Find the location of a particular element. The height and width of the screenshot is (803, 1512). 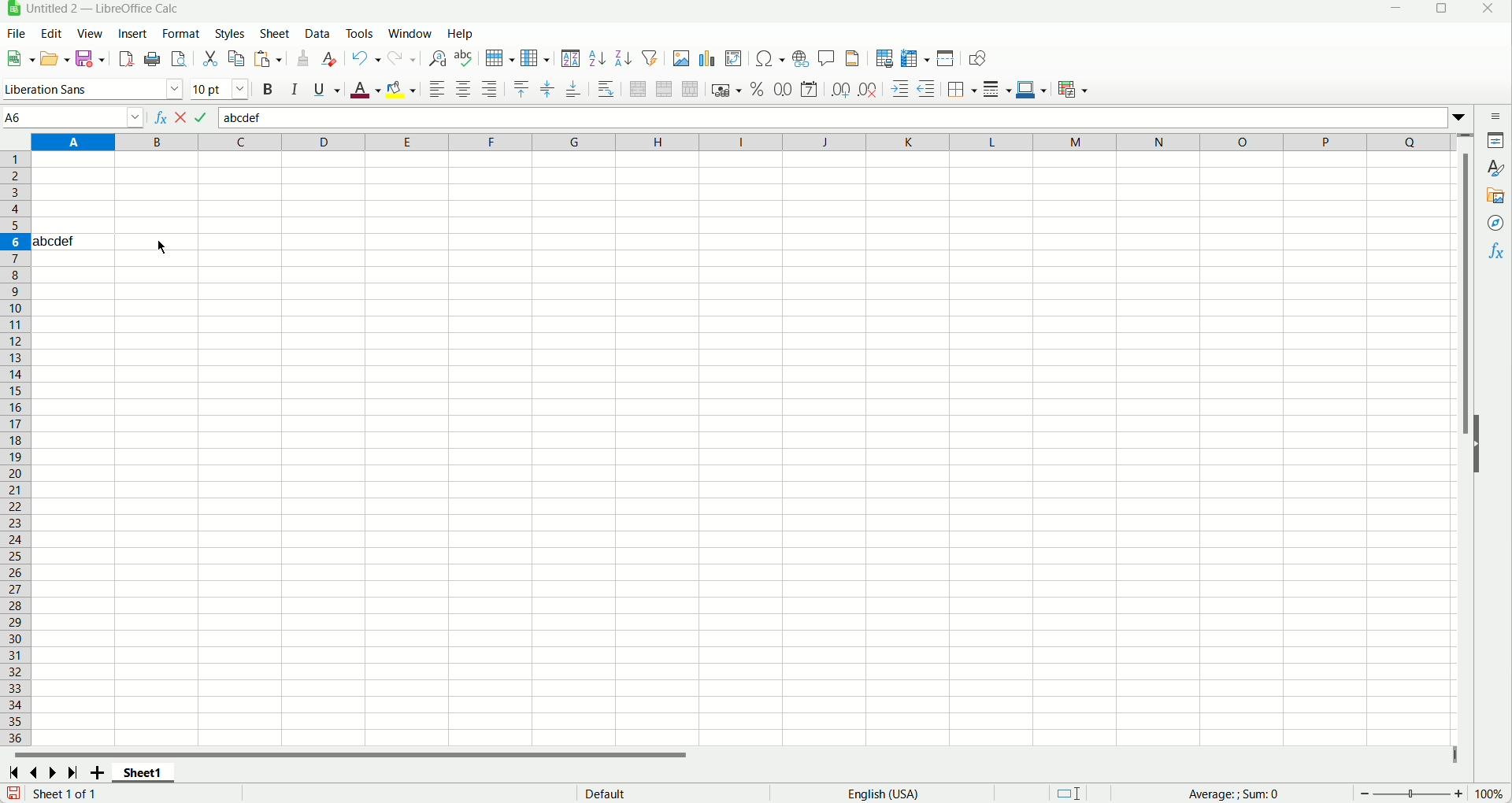

vertical scroll bar is located at coordinates (1467, 439).